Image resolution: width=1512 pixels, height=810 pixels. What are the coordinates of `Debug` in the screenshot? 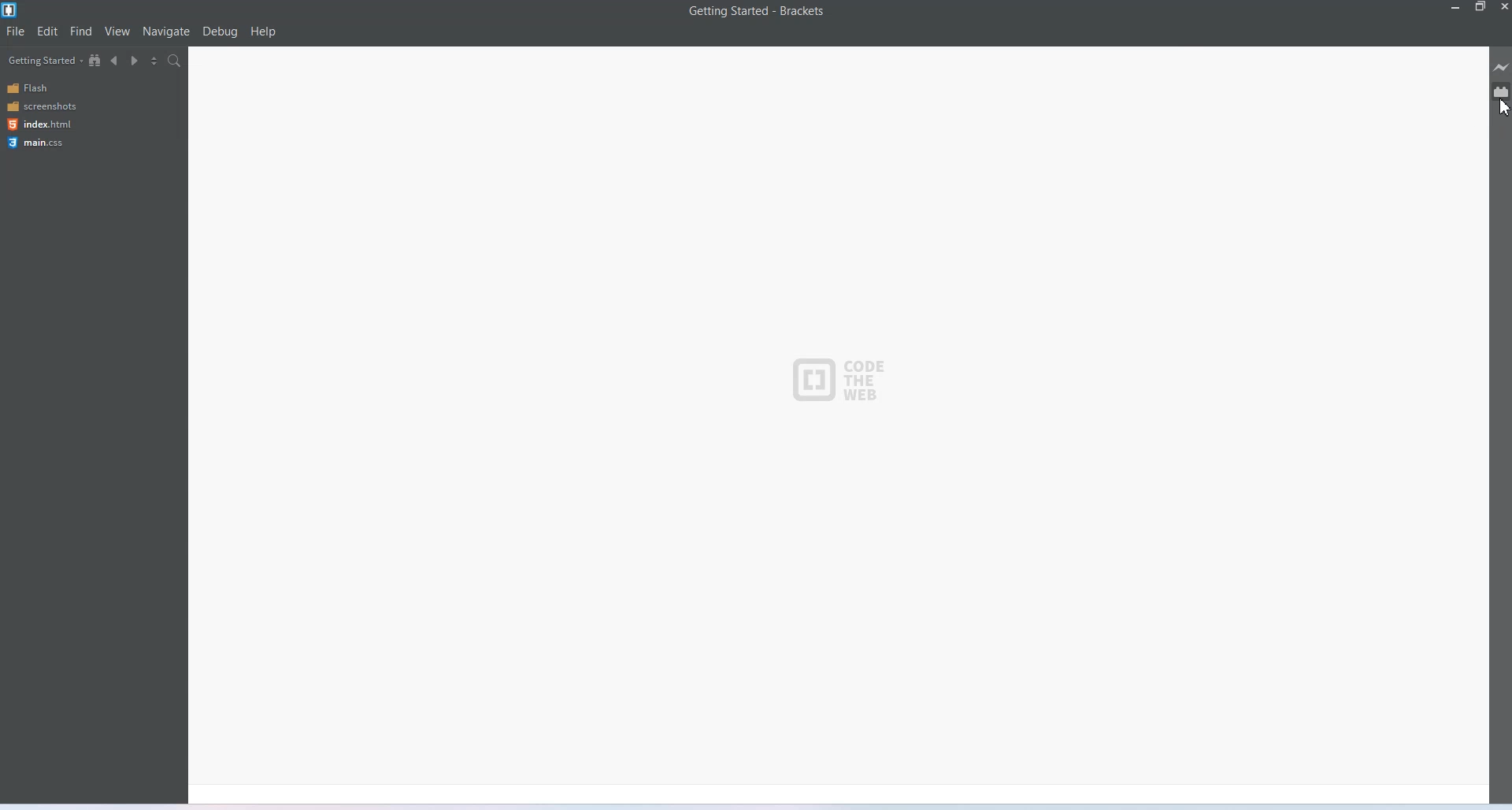 It's located at (220, 32).